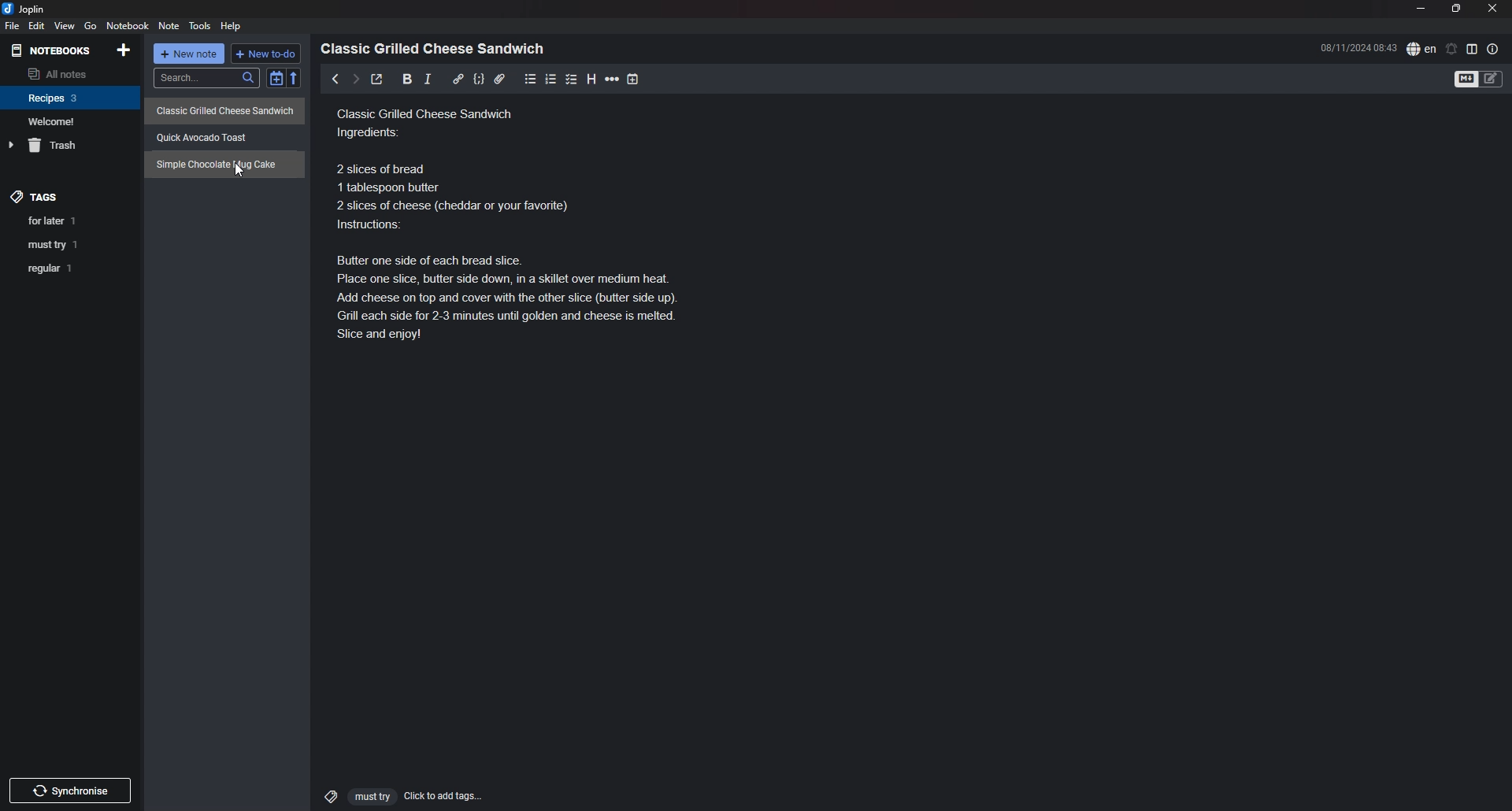 This screenshot has width=1512, height=811. Describe the element at coordinates (191, 55) in the screenshot. I see `new note` at that location.